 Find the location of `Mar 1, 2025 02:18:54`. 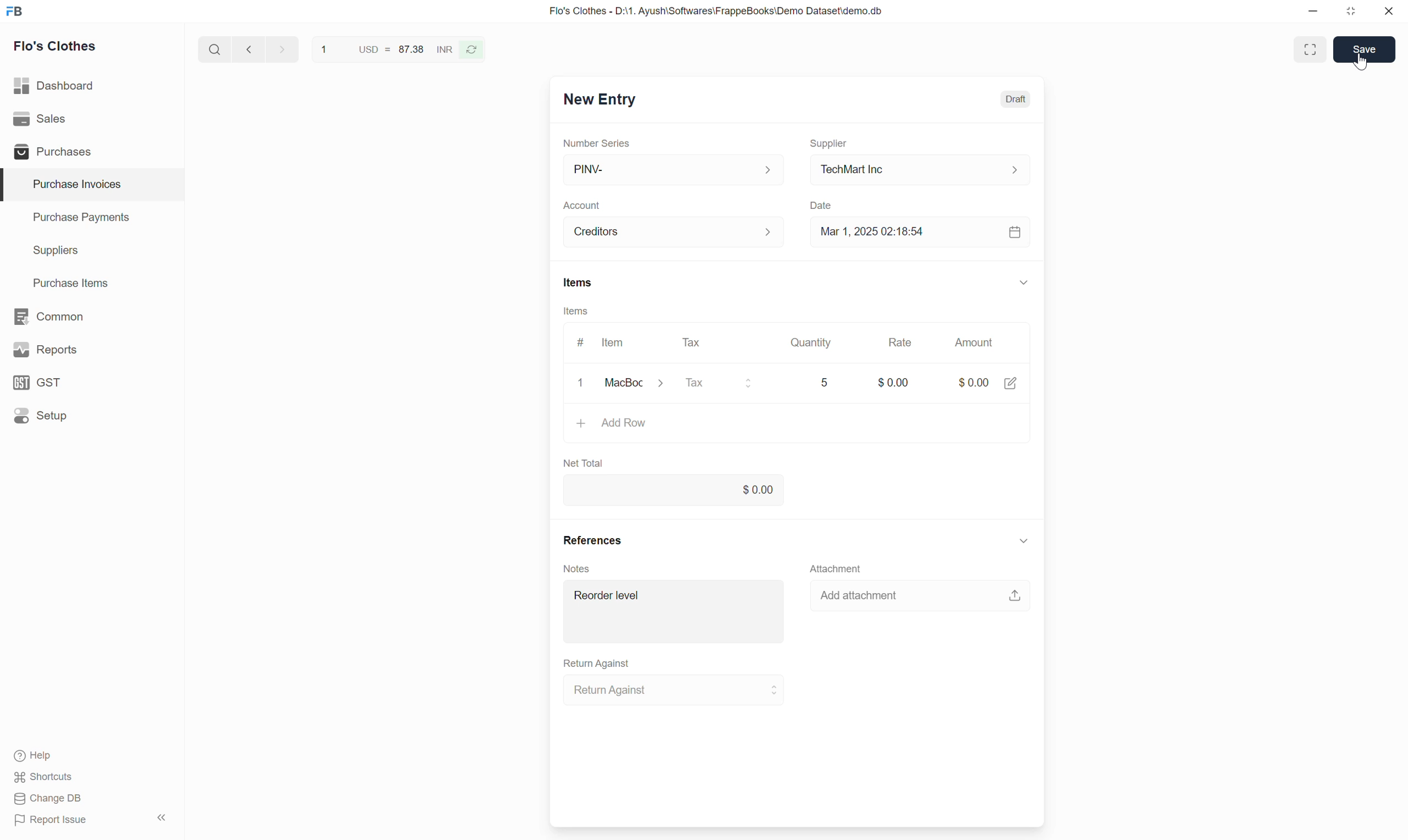

Mar 1, 2025 02:18:54 is located at coordinates (921, 231).